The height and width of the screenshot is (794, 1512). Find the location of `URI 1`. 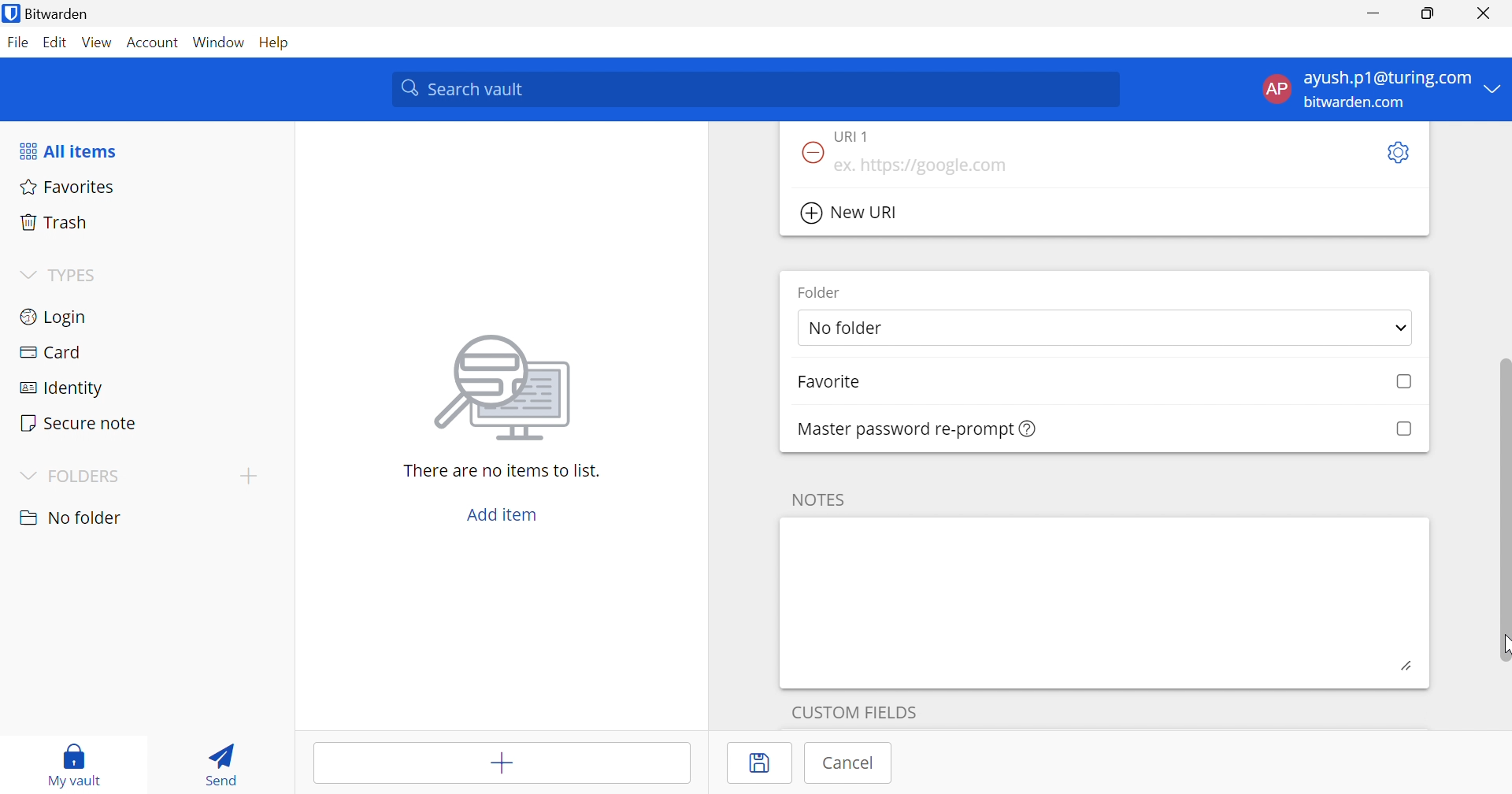

URI 1 is located at coordinates (862, 135).